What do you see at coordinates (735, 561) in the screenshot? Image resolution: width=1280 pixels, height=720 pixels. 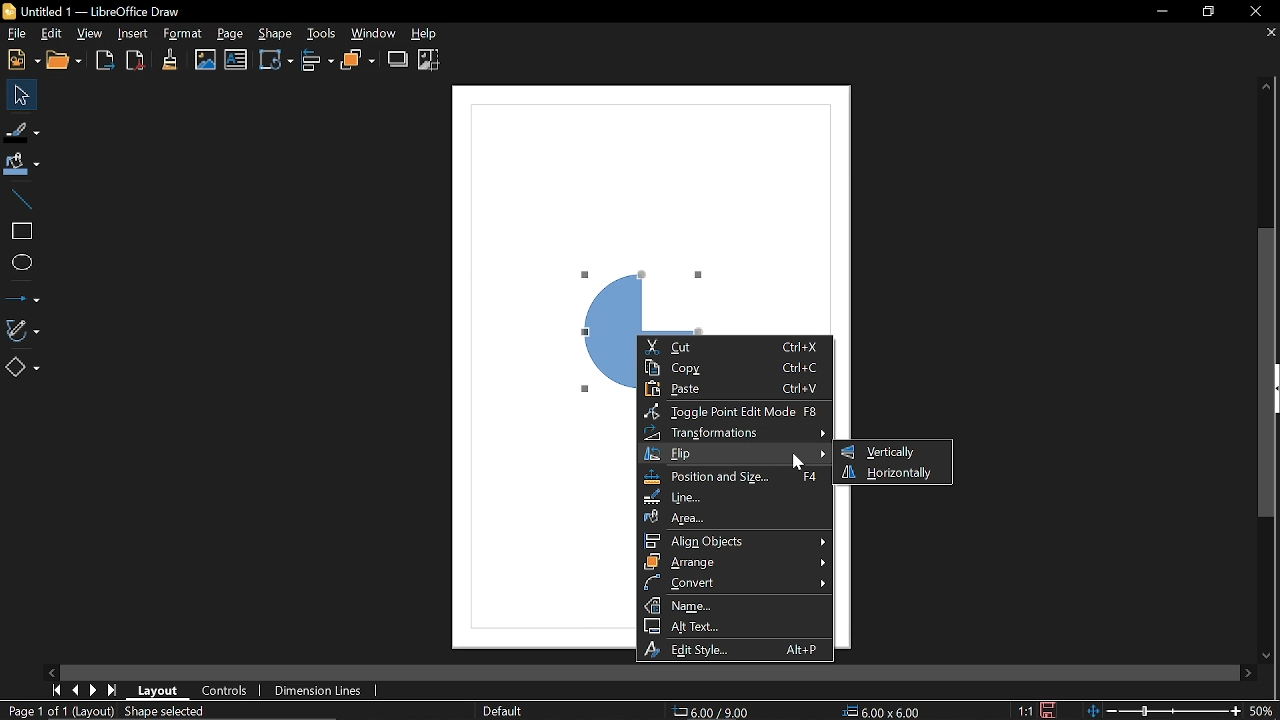 I see `Arrange` at bounding box center [735, 561].